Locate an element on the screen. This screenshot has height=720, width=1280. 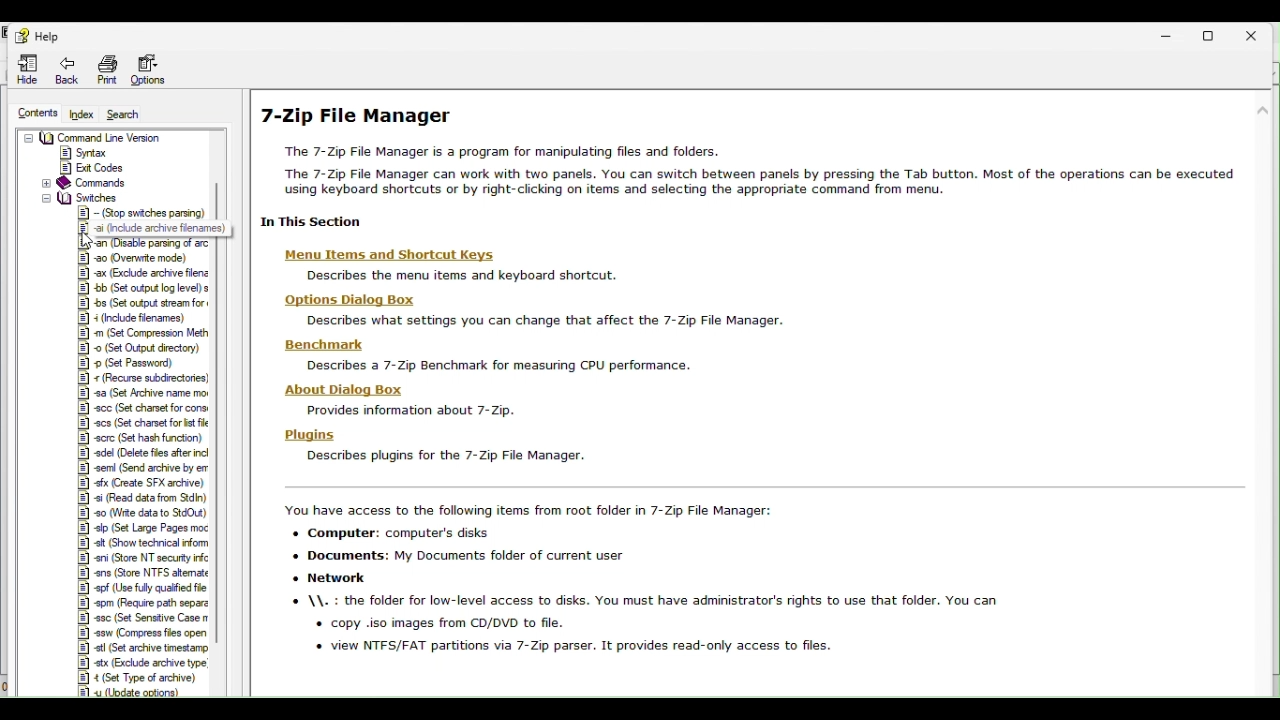
Describes a 7-Zip Benchmark for measuring CPU performance. is located at coordinates (499, 366).